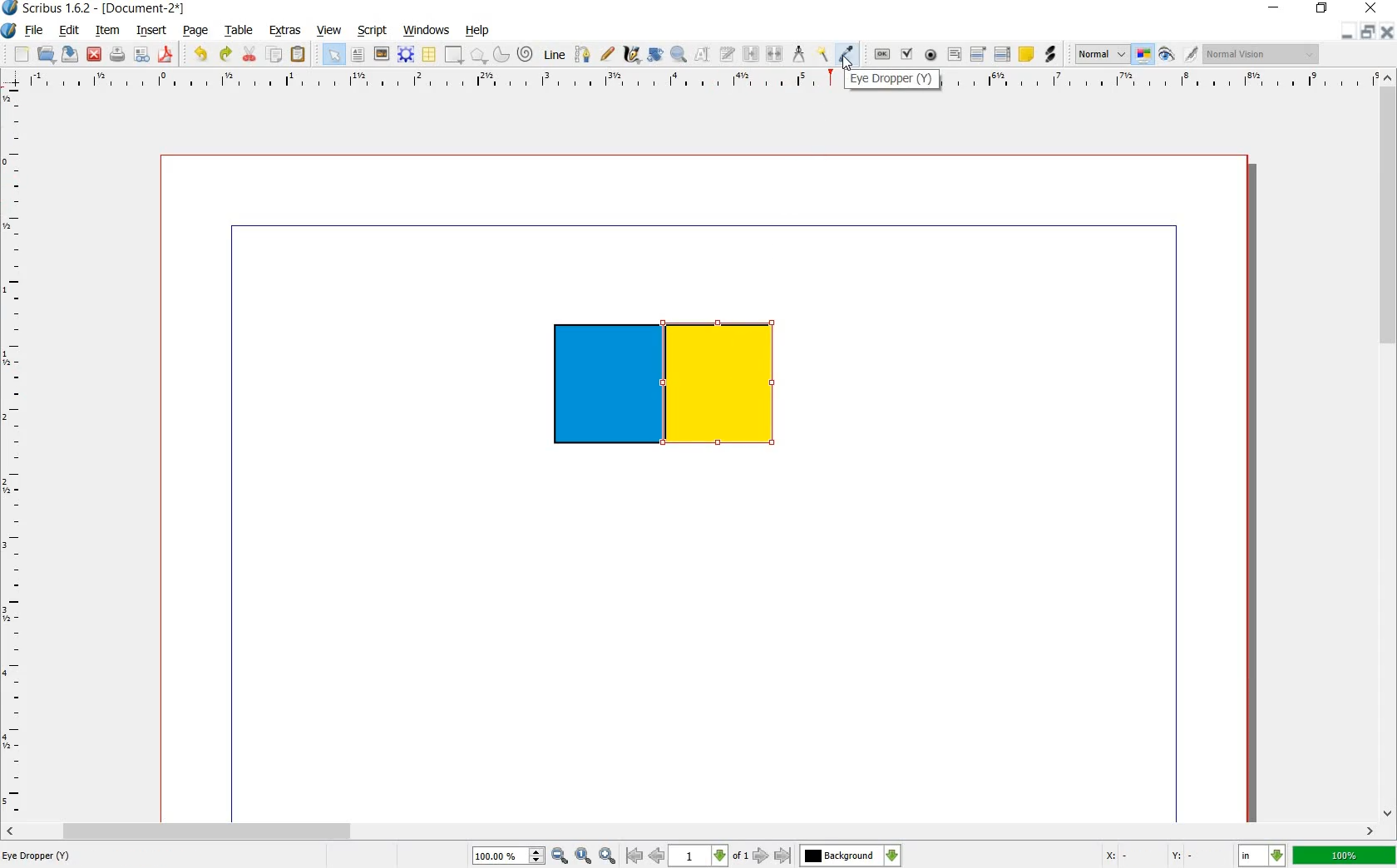 This screenshot has width=1397, height=868. Describe the element at coordinates (1167, 55) in the screenshot. I see `preview mode` at that location.